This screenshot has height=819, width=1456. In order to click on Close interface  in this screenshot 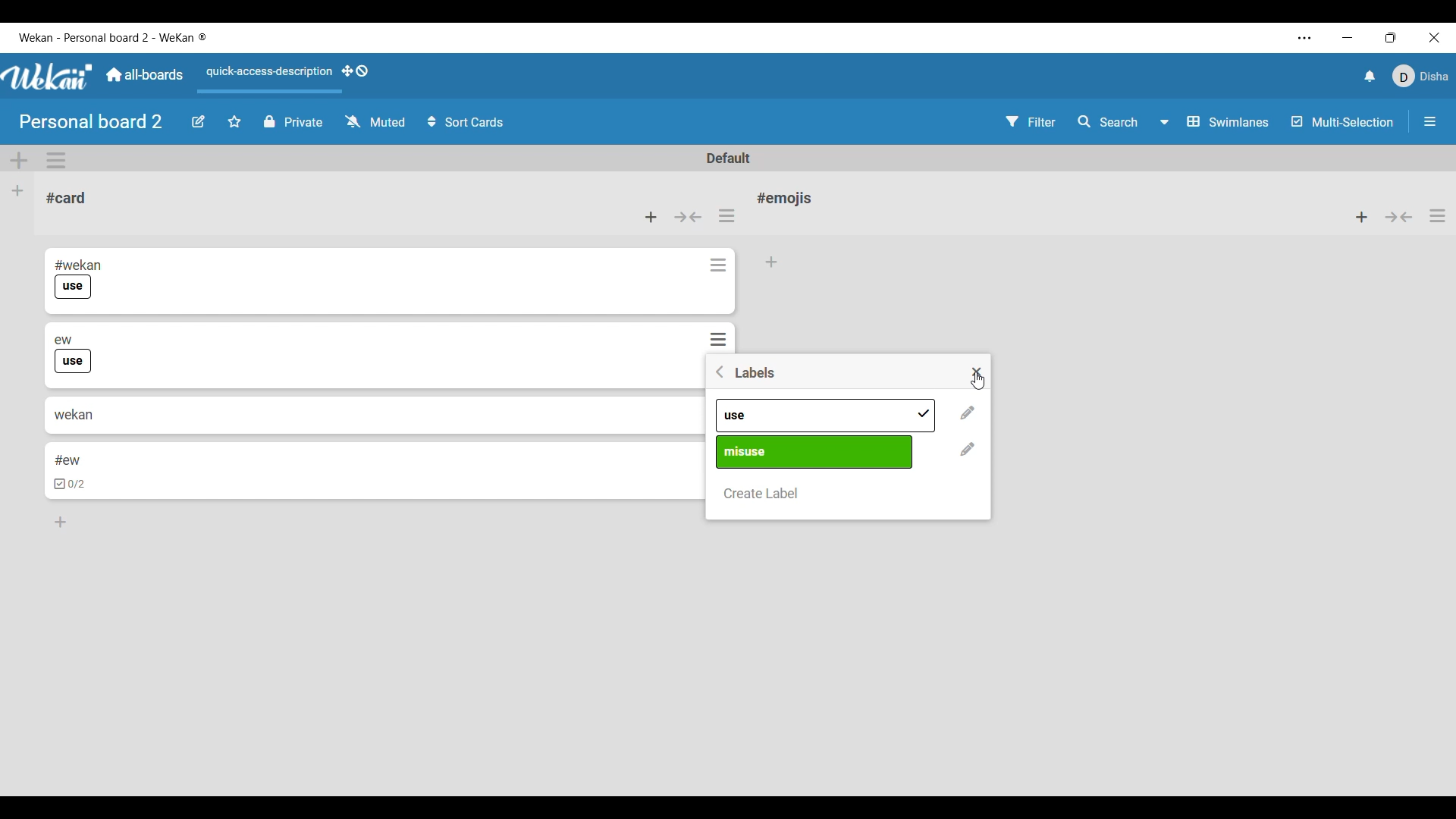, I will do `click(1435, 37)`.